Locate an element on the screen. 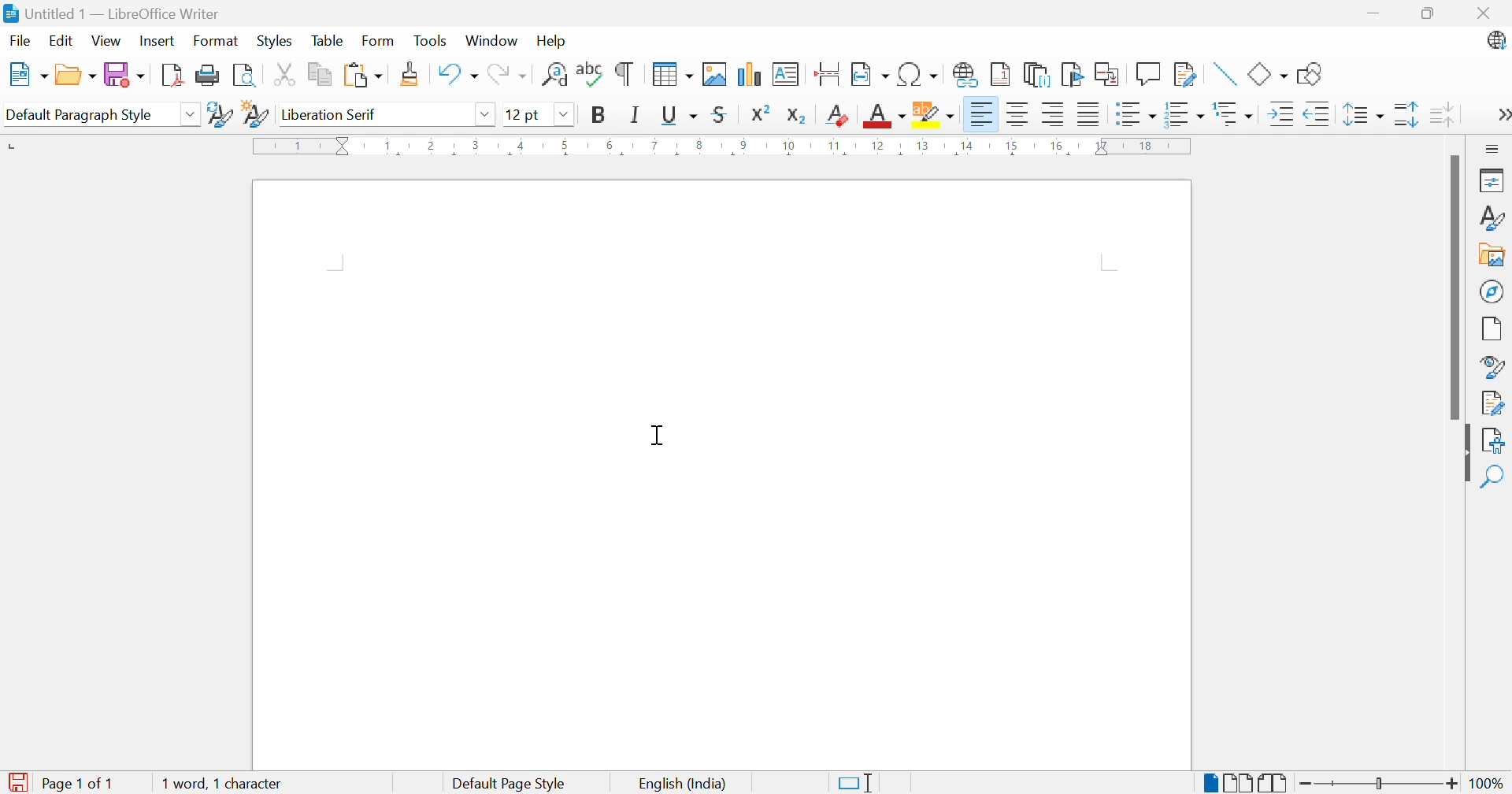 Image resolution: width=1512 pixels, height=794 pixels. Tools is located at coordinates (433, 41).